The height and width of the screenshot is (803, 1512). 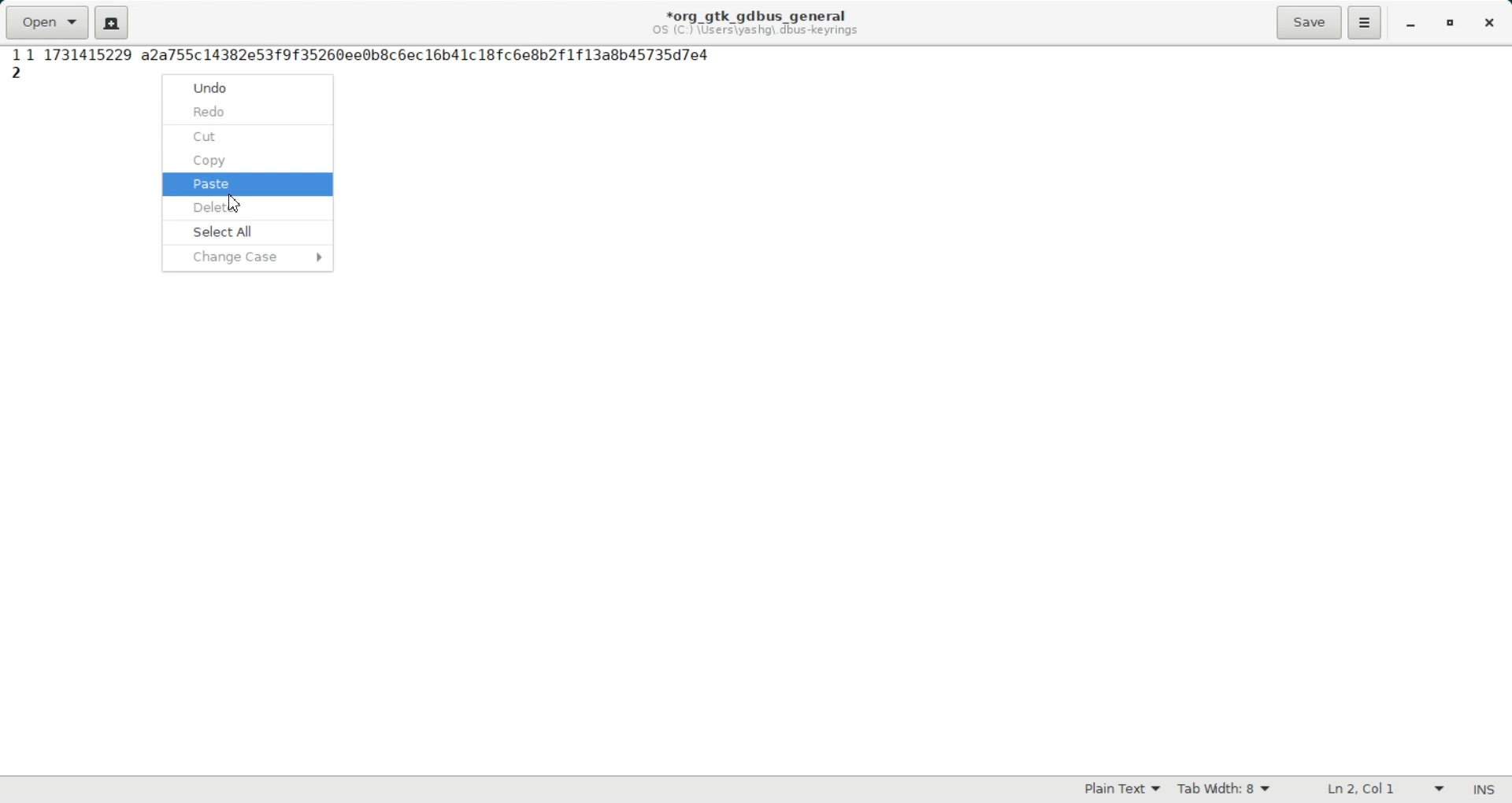 What do you see at coordinates (1368, 790) in the screenshot?
I see `Text Wrapping` at bounding box center [1368, 790].